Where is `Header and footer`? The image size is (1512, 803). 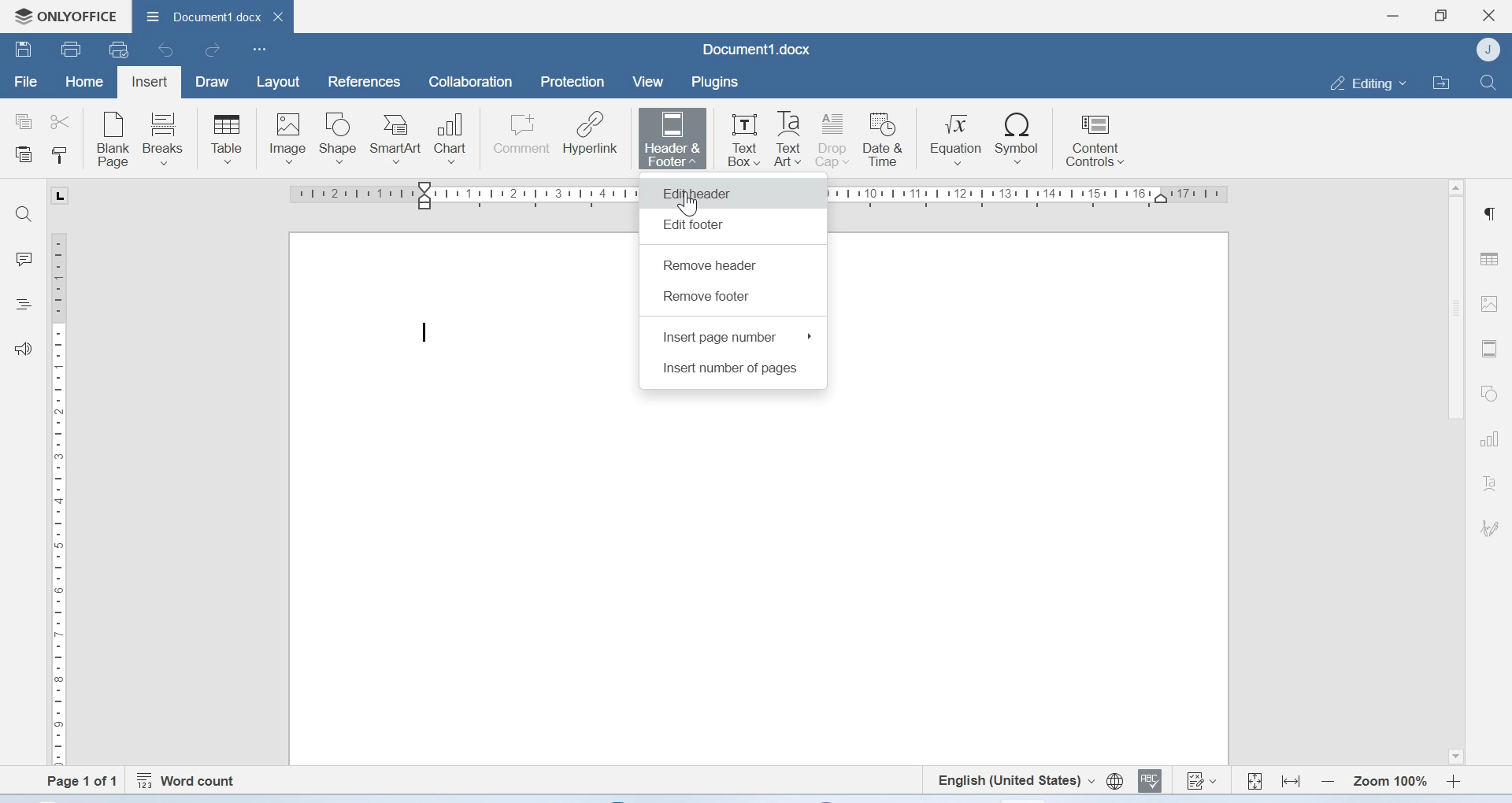
Header and footer is located at coordinates (1488, 349).